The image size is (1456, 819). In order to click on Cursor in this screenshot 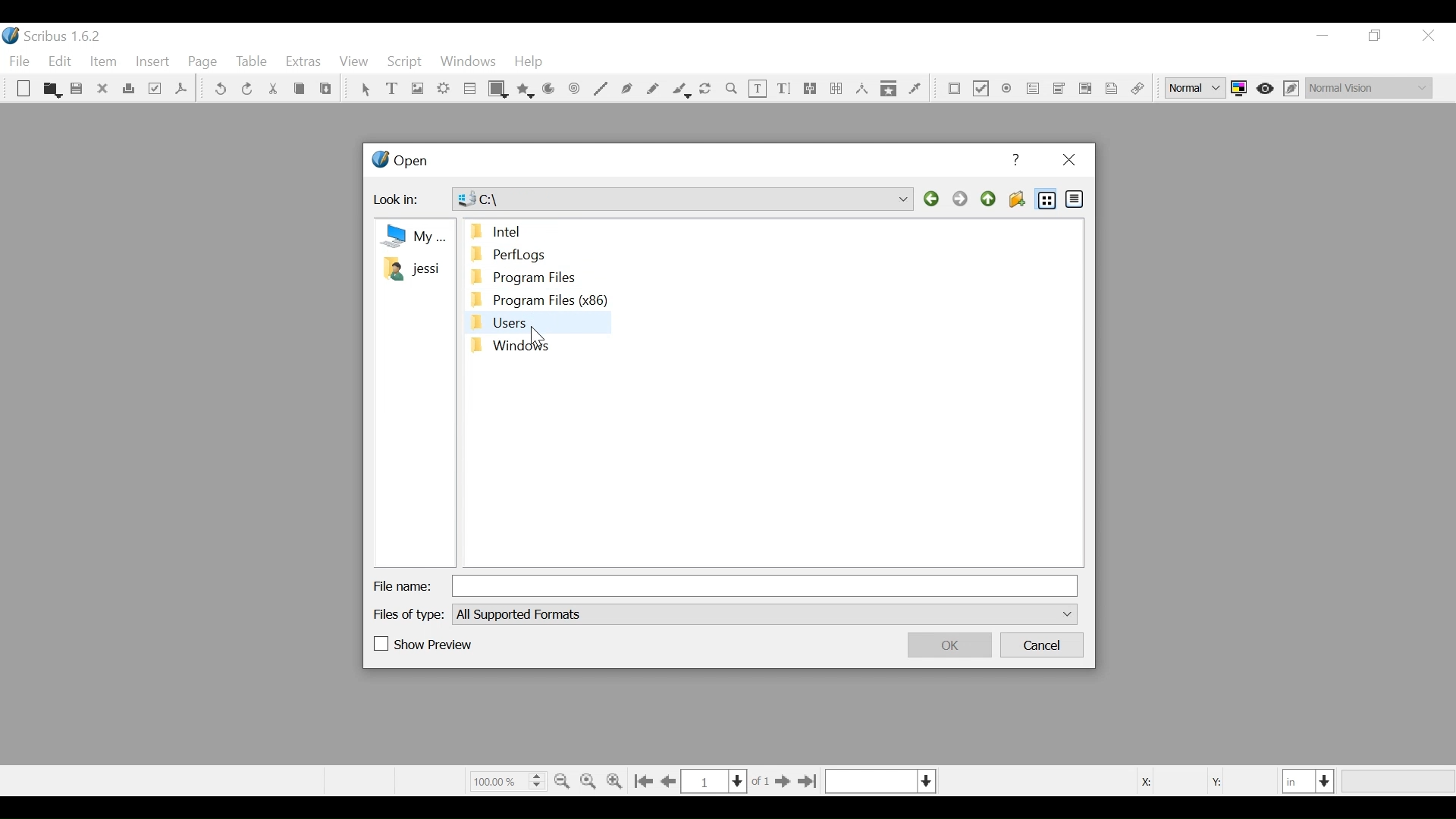, I will do `click(542, 332)`.